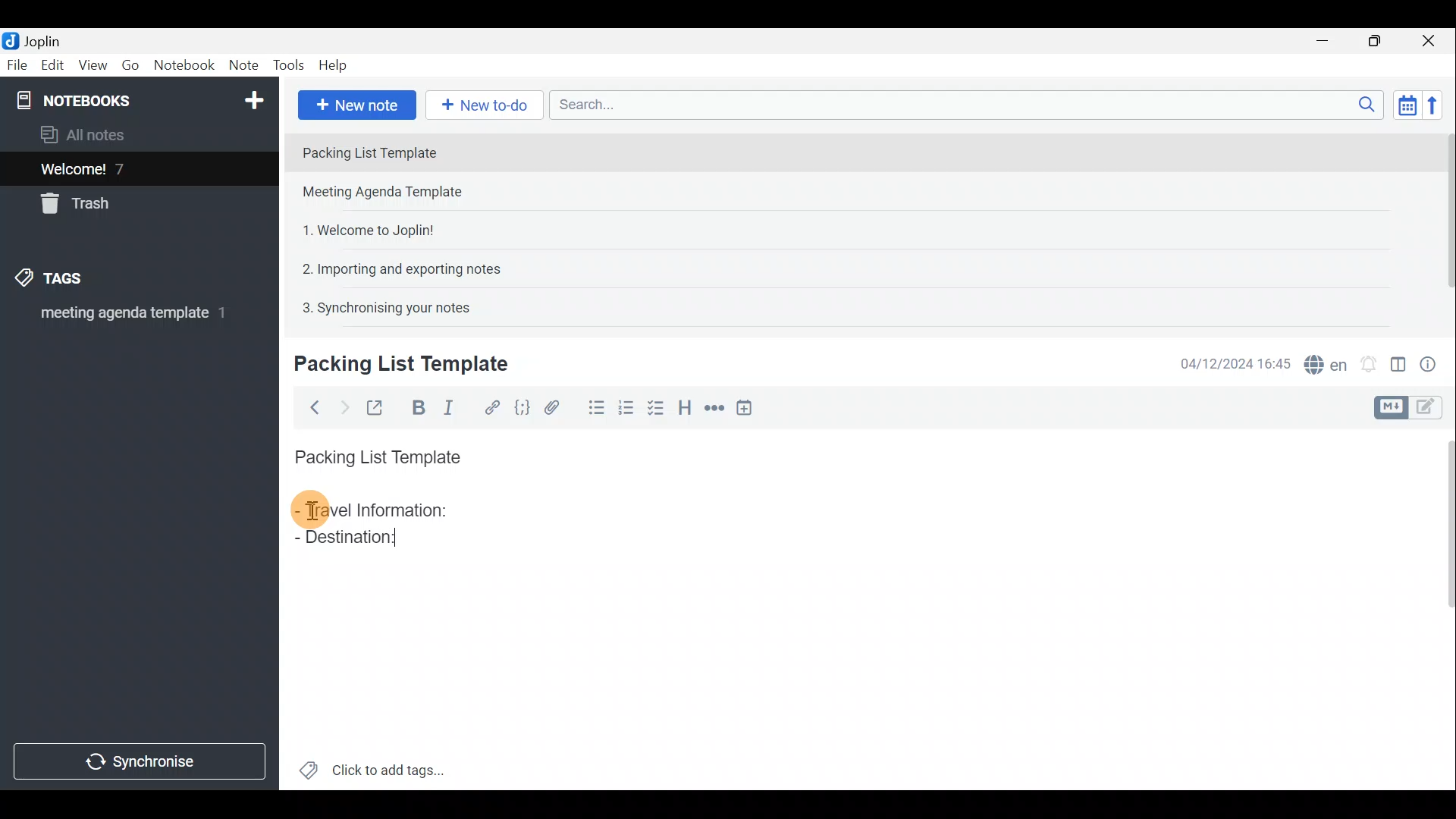  I want to click on Heading, so click(686, 406).